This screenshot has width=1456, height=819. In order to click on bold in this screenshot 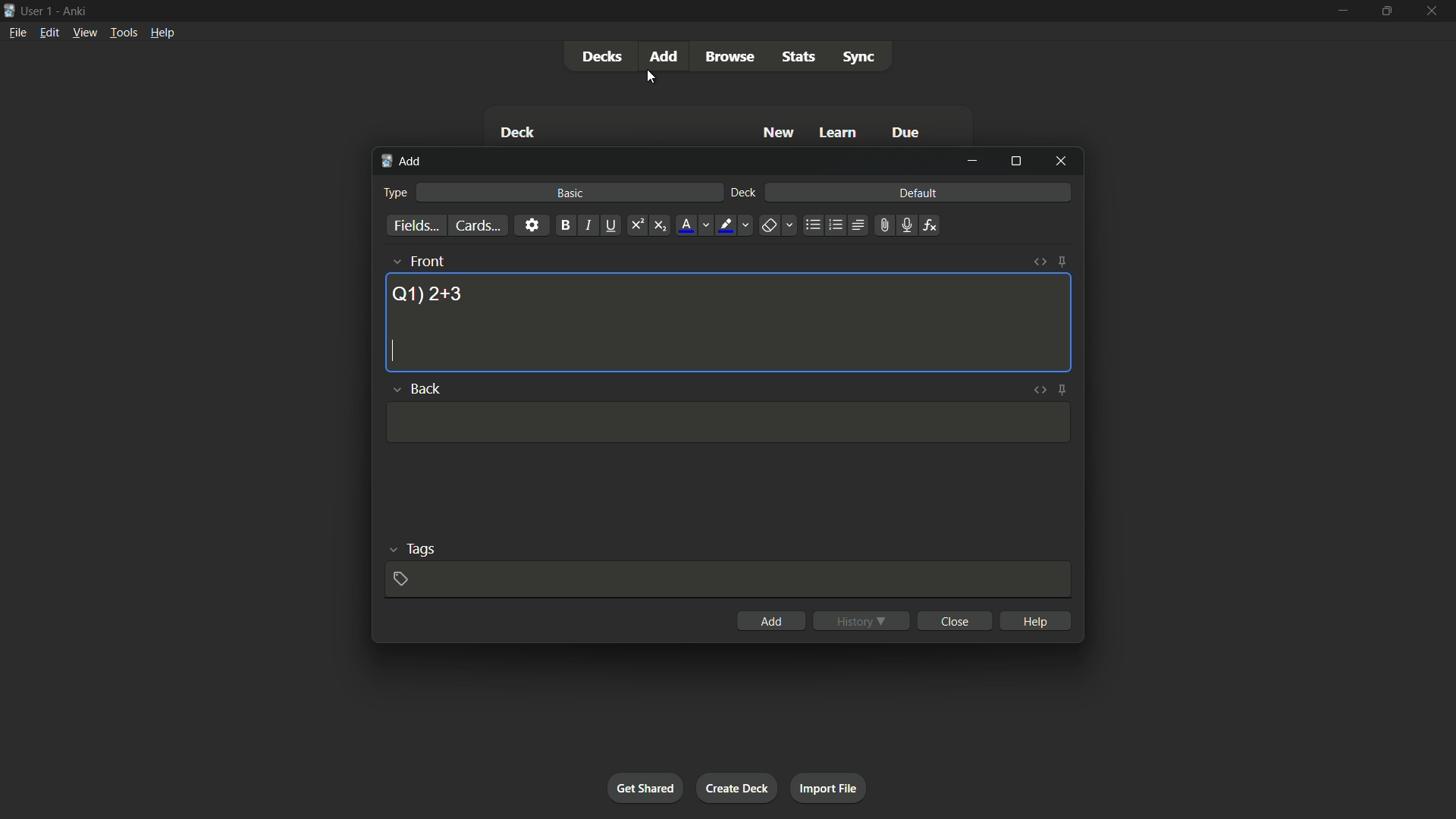, I will do `click(565, 226)`.